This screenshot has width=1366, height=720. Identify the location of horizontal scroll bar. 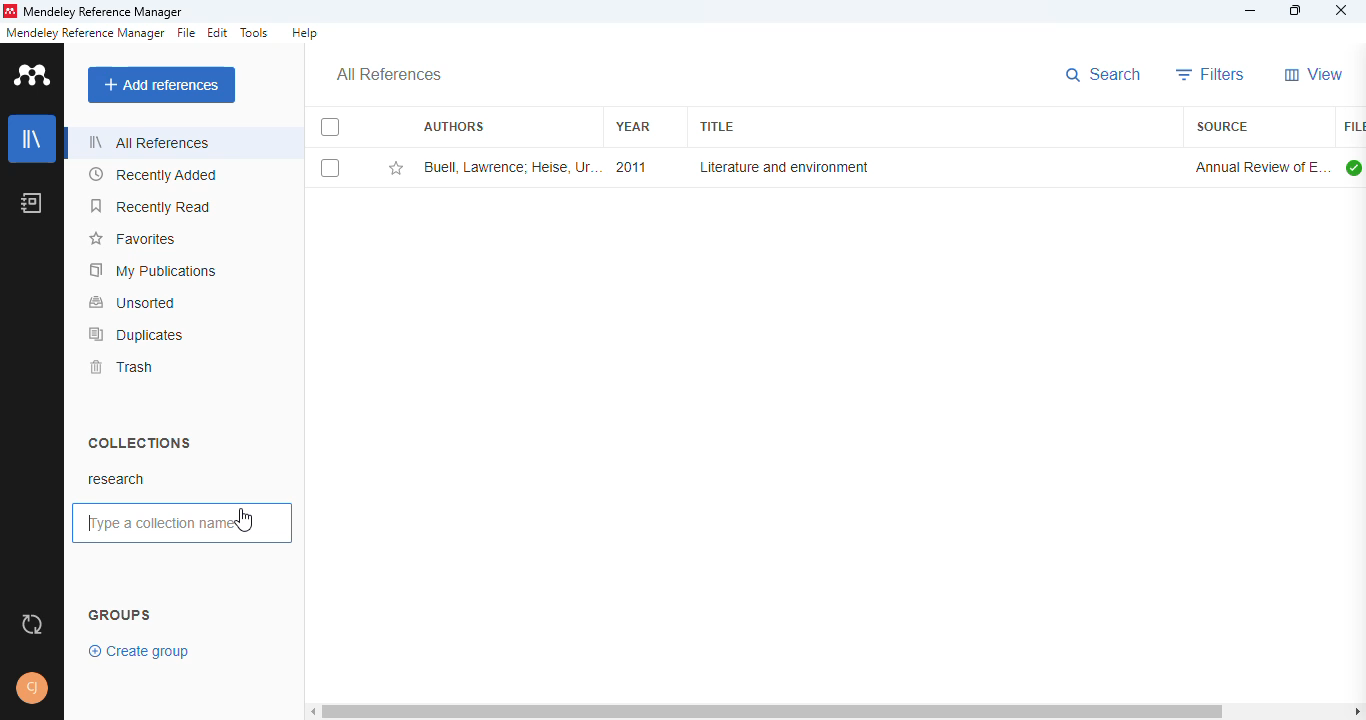
(772, 711).